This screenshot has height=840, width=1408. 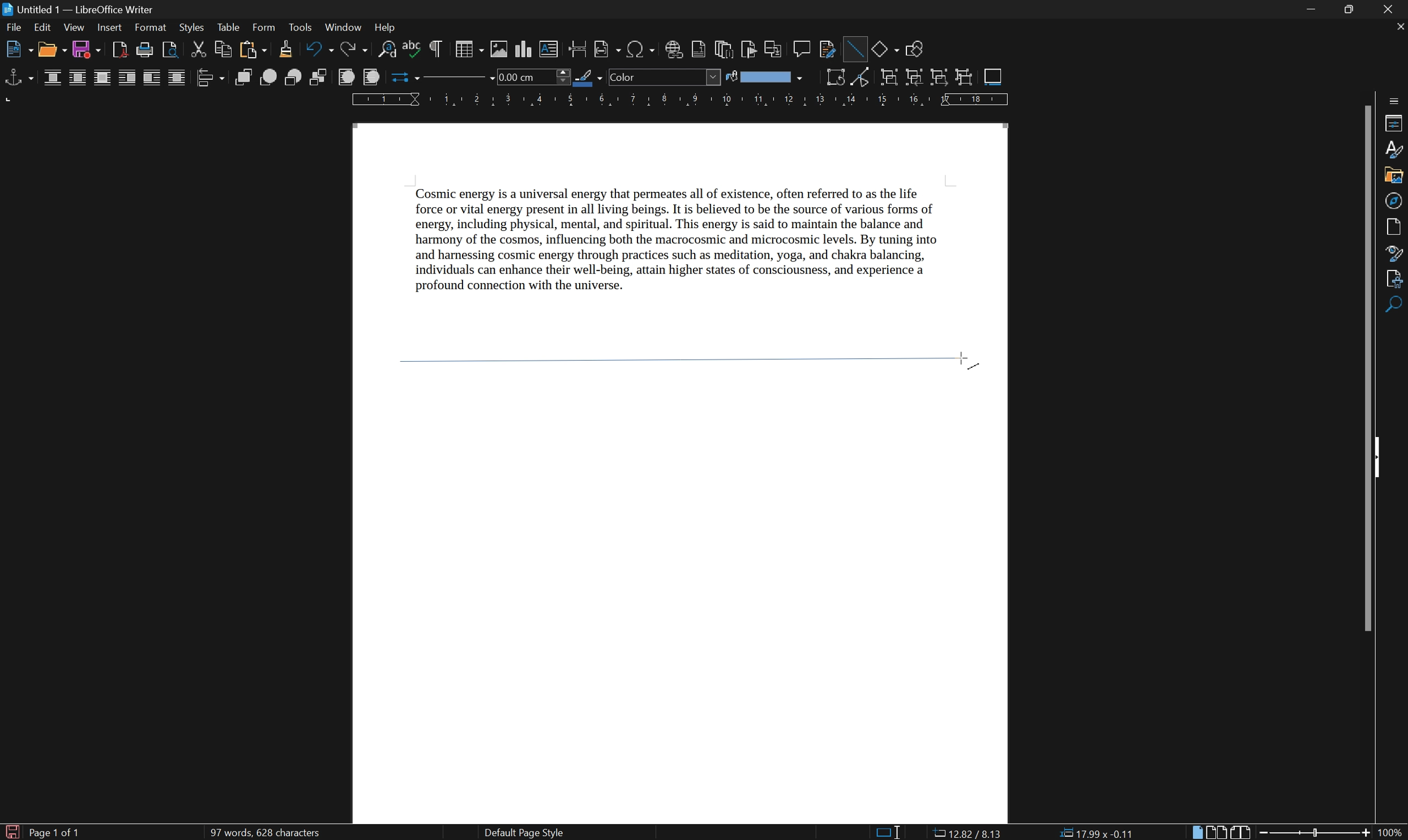 I want to click on gallery, so click(x=1393, y=177).